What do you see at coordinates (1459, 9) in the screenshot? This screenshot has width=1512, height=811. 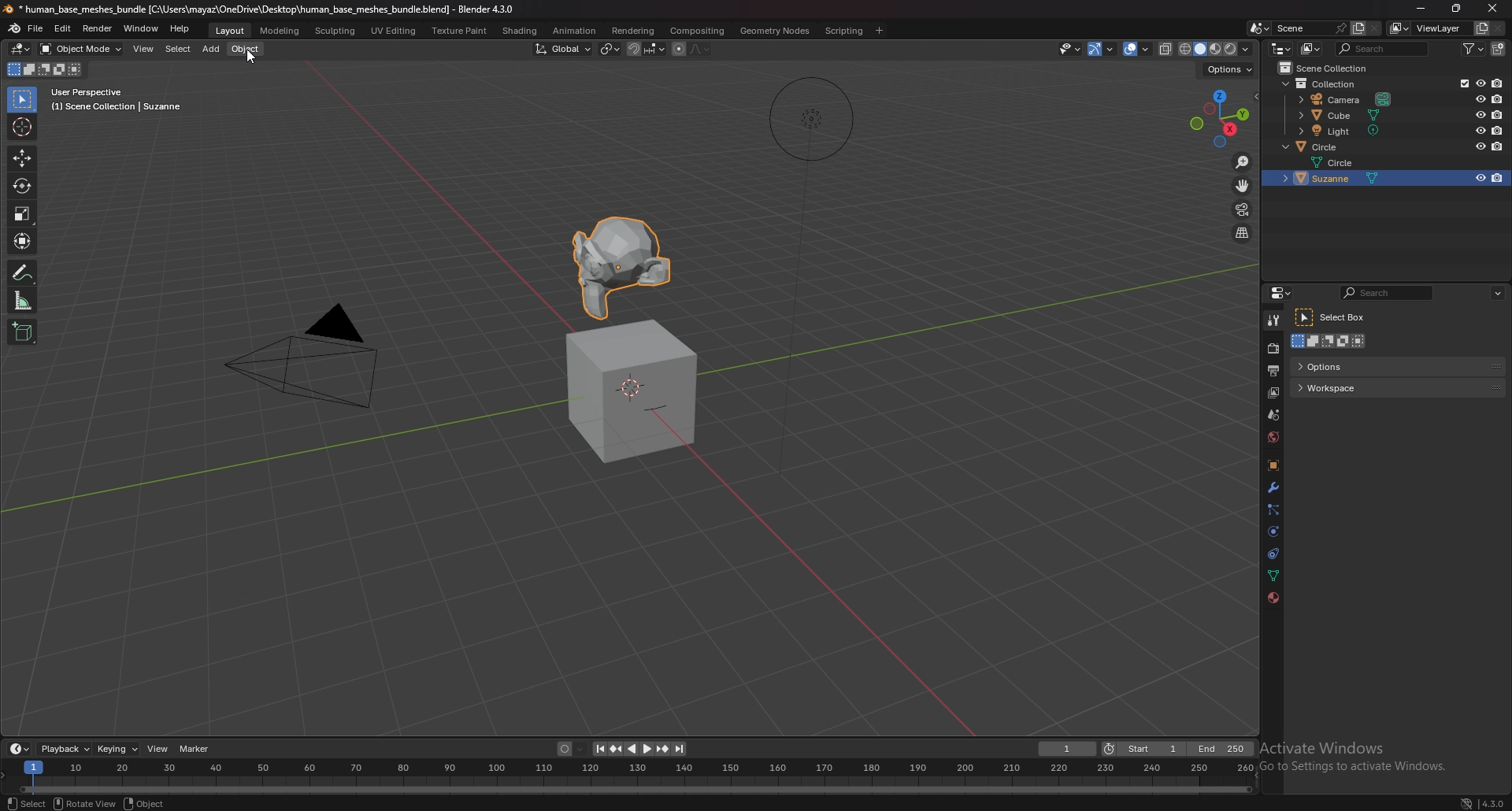 I see `resize` at bounding box center [1459, 9].